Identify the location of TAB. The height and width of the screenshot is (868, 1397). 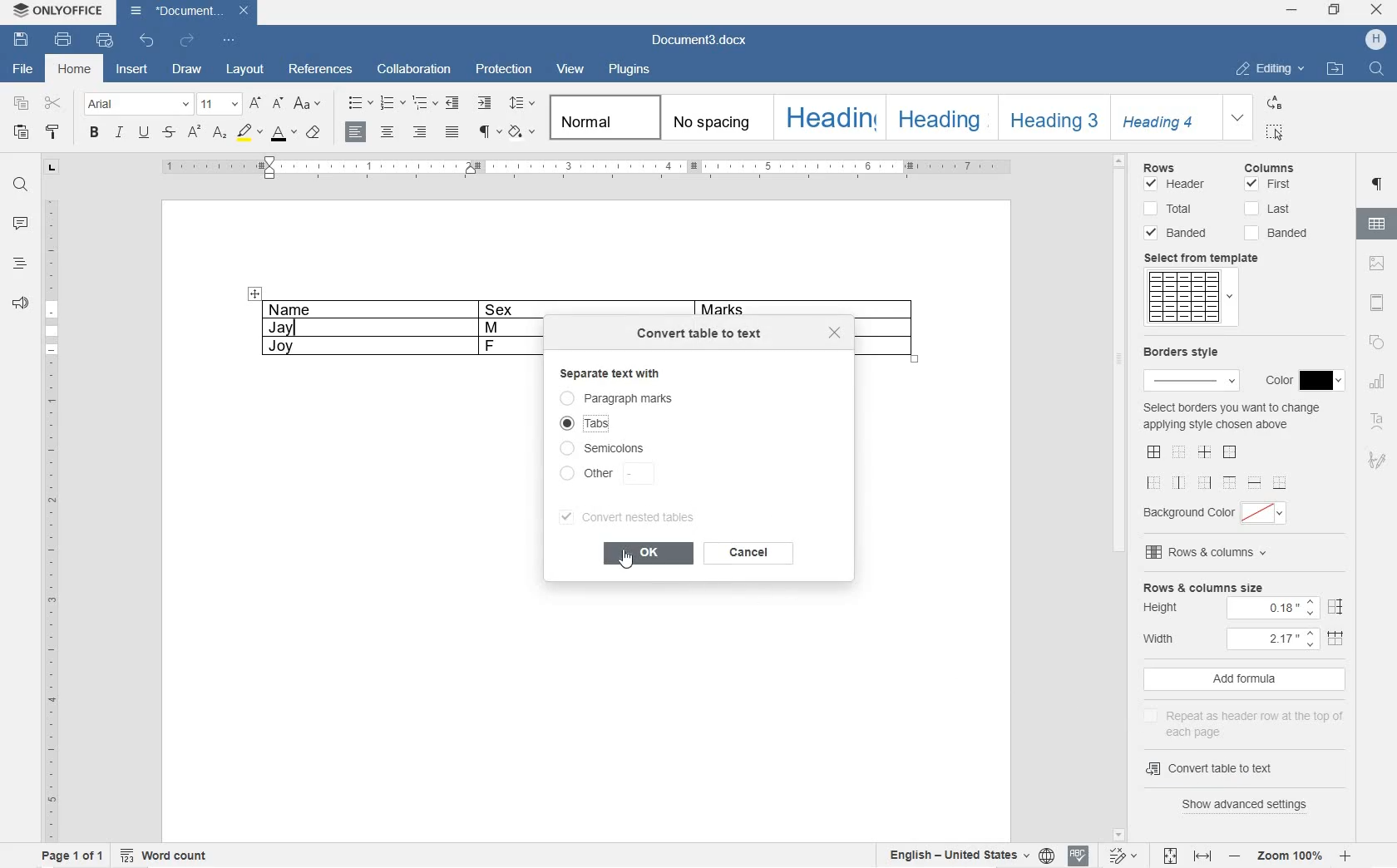
(52, 170).